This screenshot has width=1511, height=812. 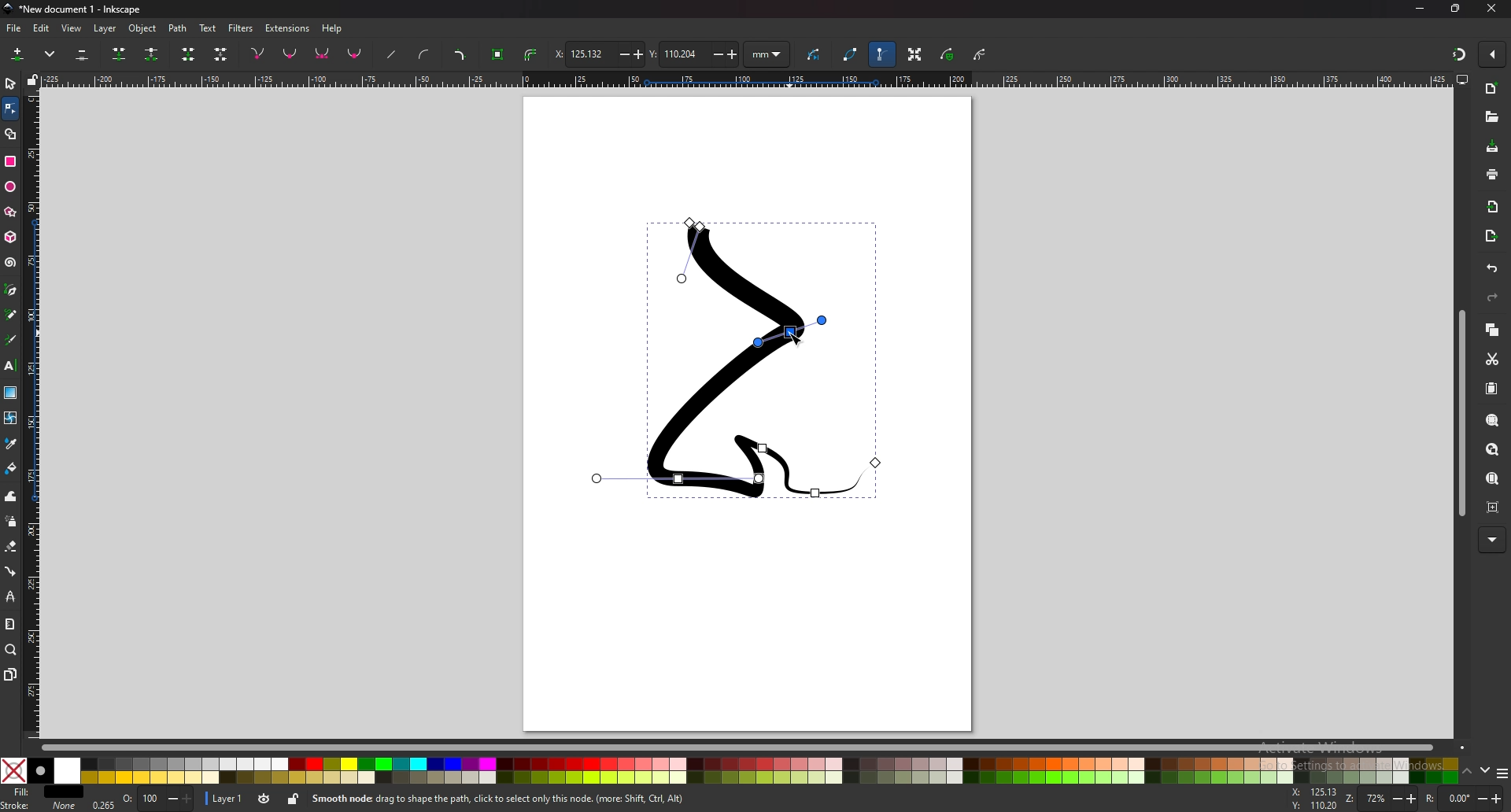 What do you see at coordinates (86, 9) in the screenshot?
I see `title` at bounding box center [86, 9].